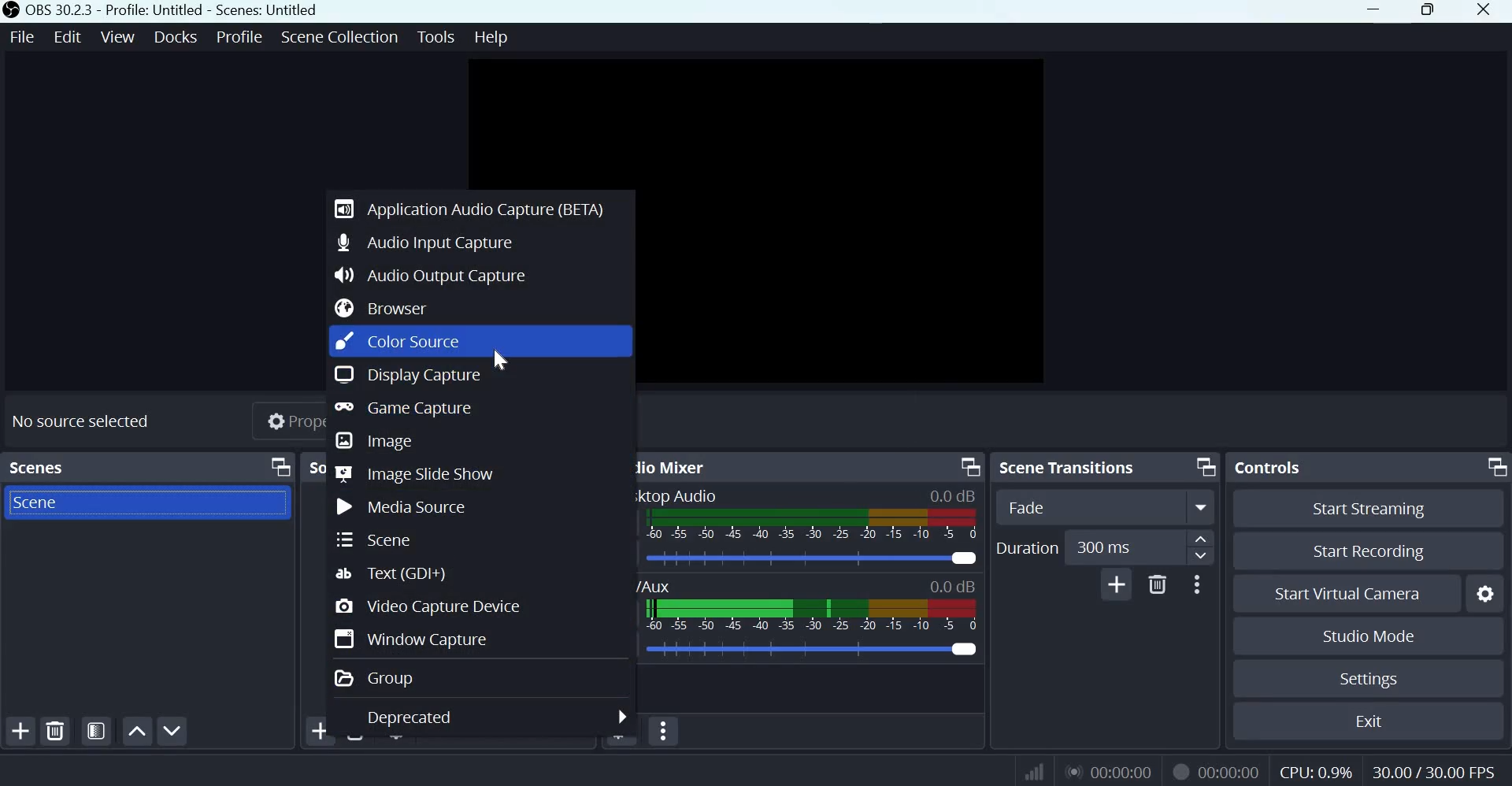 The image size is (1512, 786). Describe the element at coordinates (1032, 772) in the screenshot. I see `Connection Status Indicator` at that location.